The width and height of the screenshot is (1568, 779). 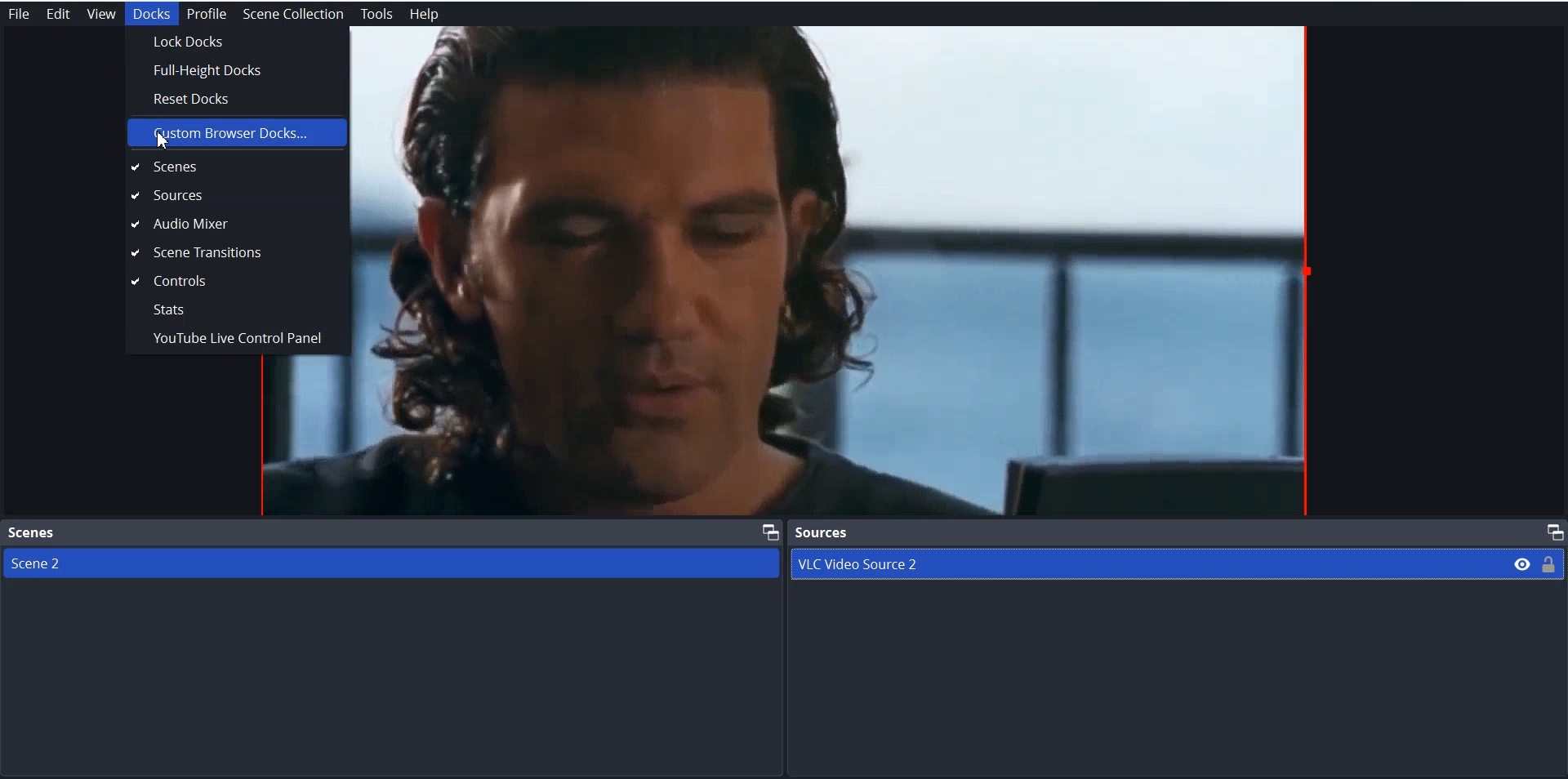 What do you see at coordinates (768, 533) in the screenshot?
I see `Maximize` at bounding box center [768, 533].